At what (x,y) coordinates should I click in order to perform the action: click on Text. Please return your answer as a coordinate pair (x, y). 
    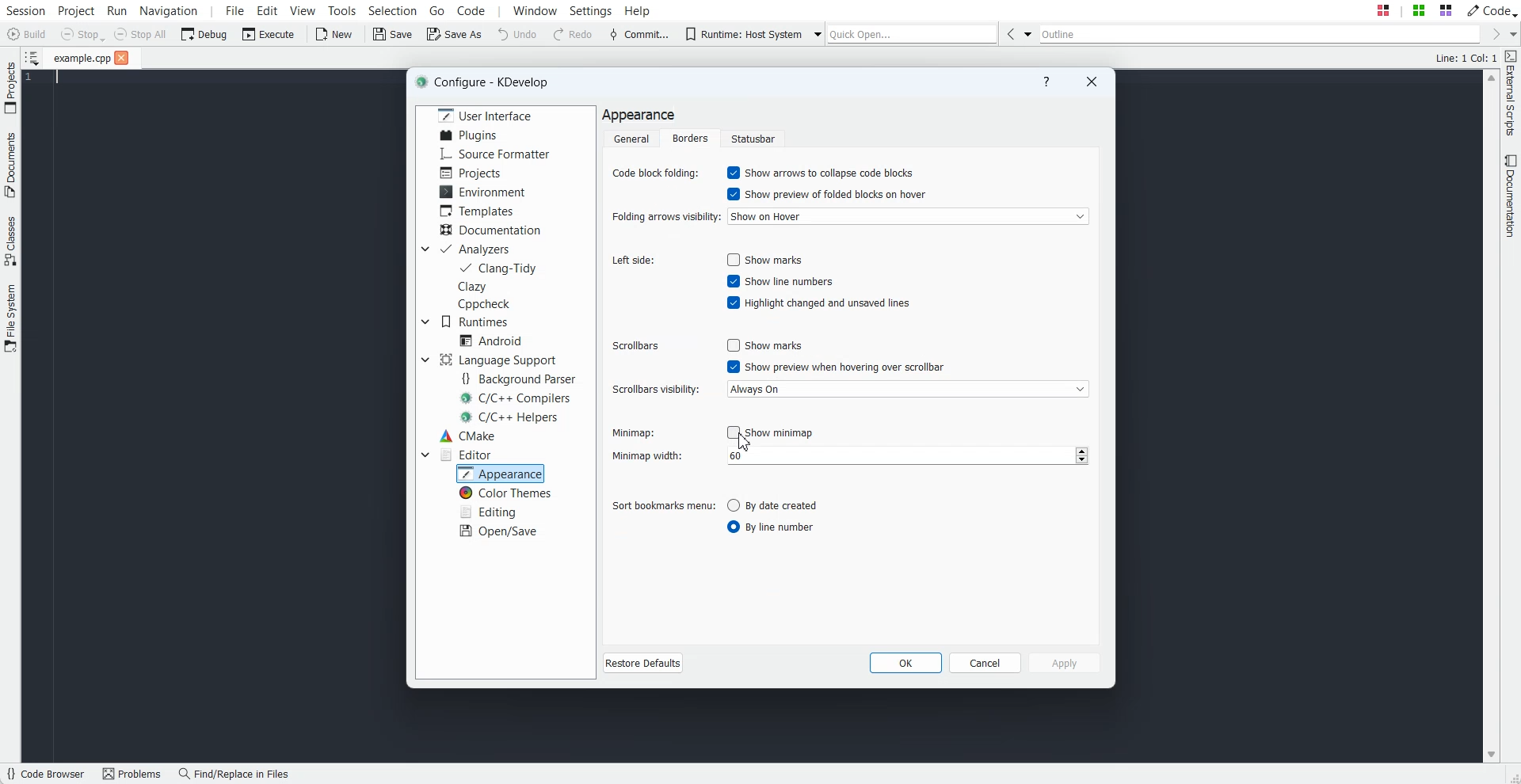
    Looking at the image, I should click on (483, 81).